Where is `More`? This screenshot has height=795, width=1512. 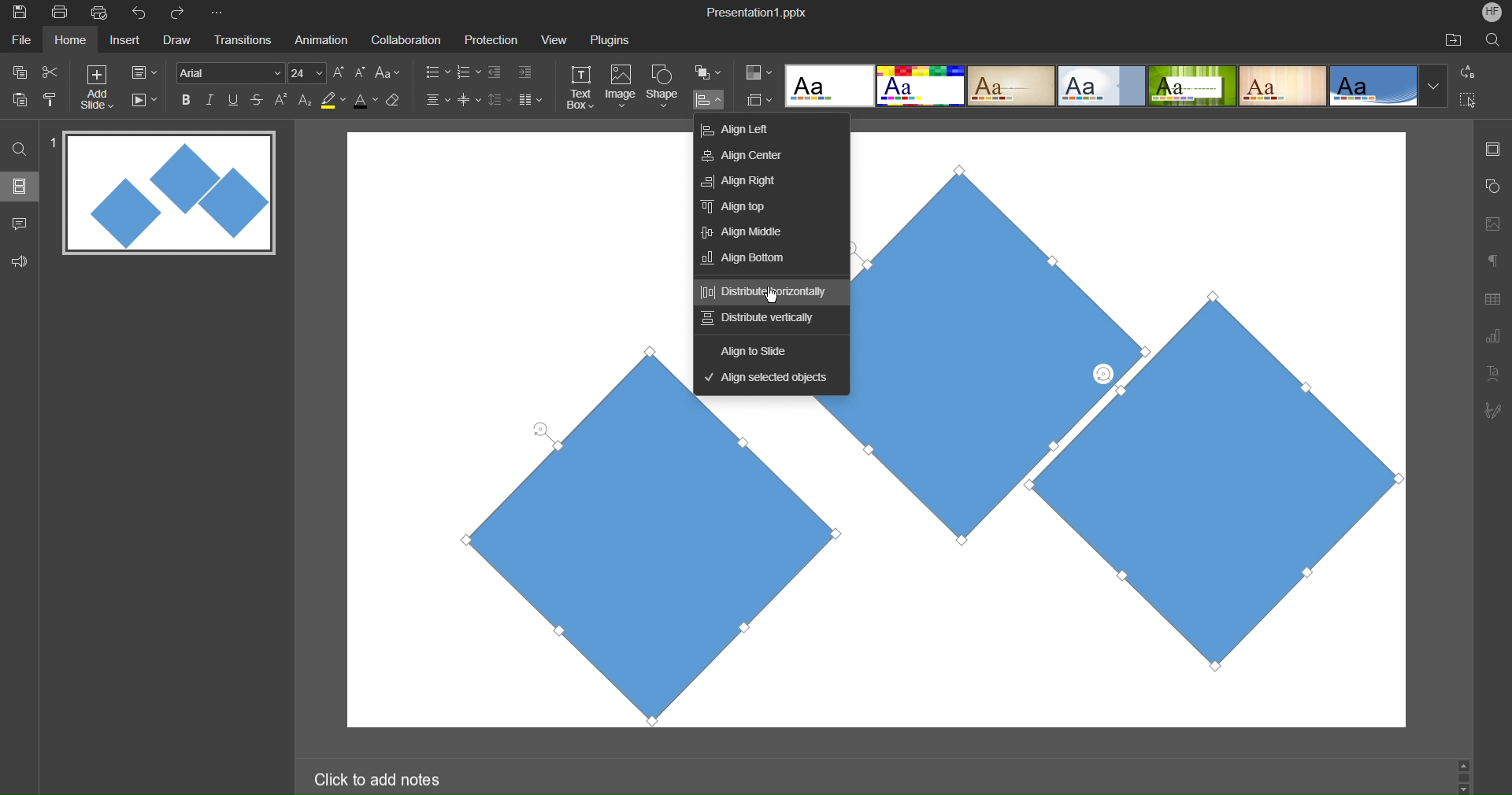 More is located at coordinates (220, 13).